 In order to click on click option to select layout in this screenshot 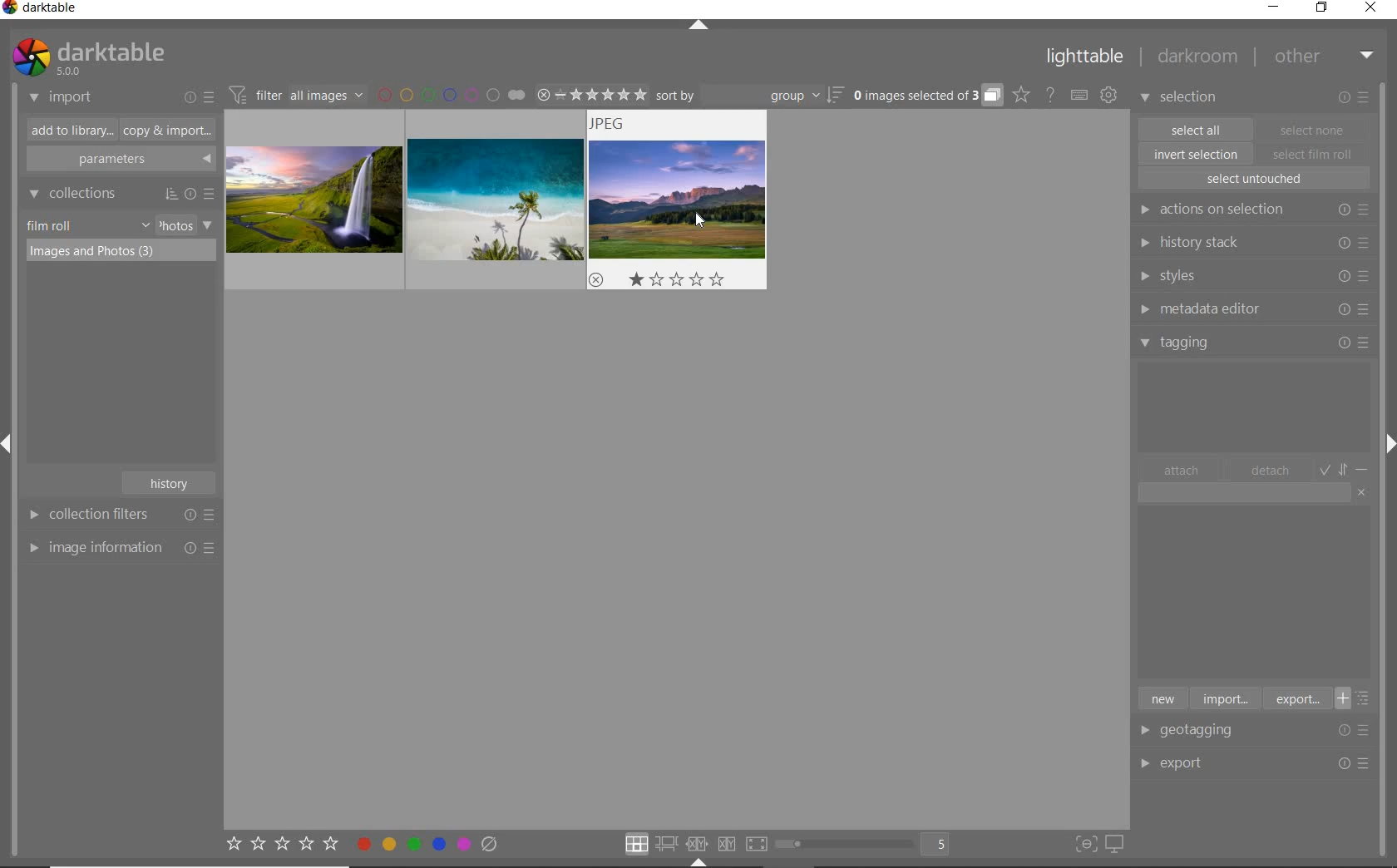, I will do `click(693, 844)`.